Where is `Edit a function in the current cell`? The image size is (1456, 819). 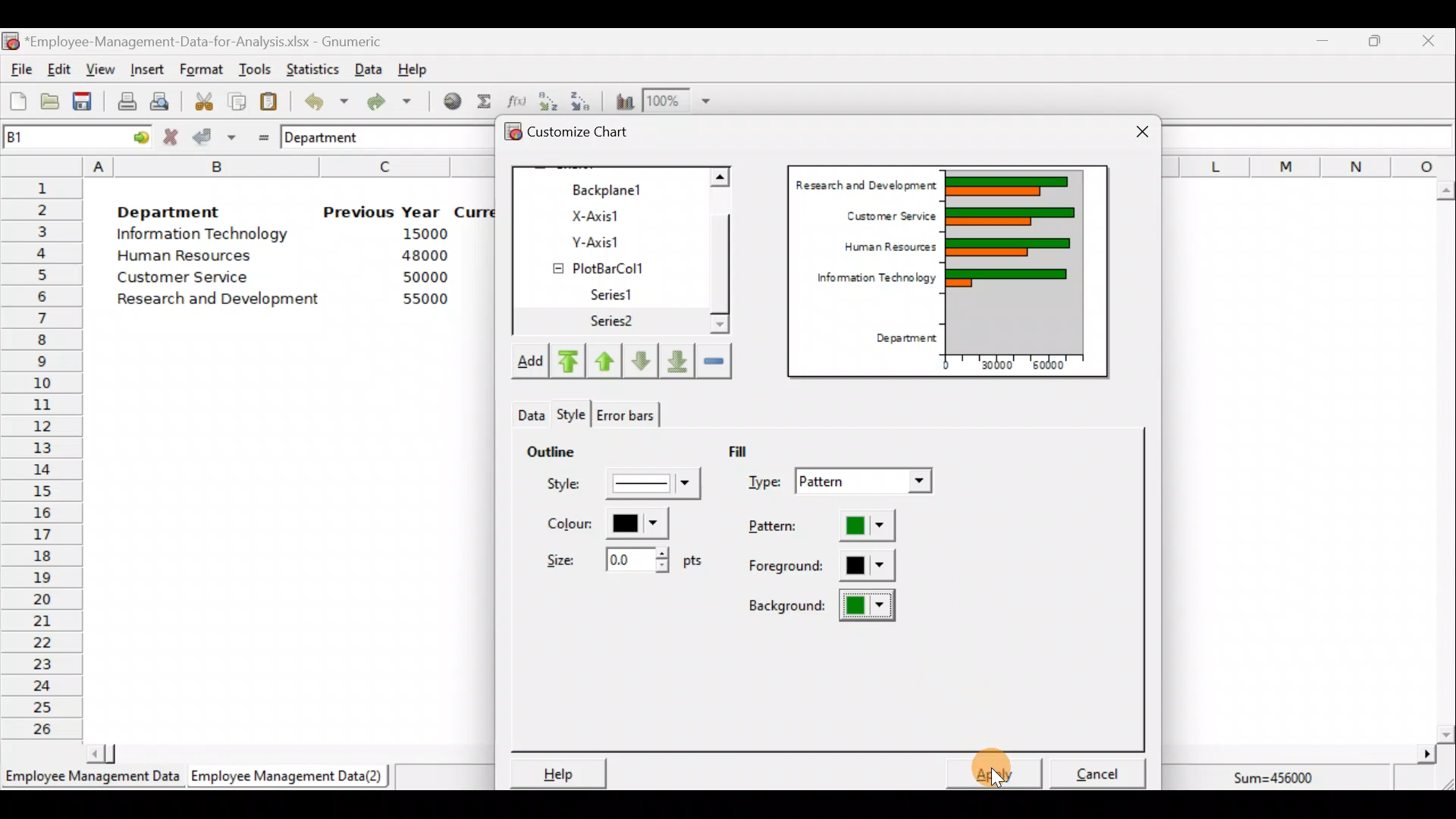 Edit a function in the current cell is located at coordinates (516, 100).